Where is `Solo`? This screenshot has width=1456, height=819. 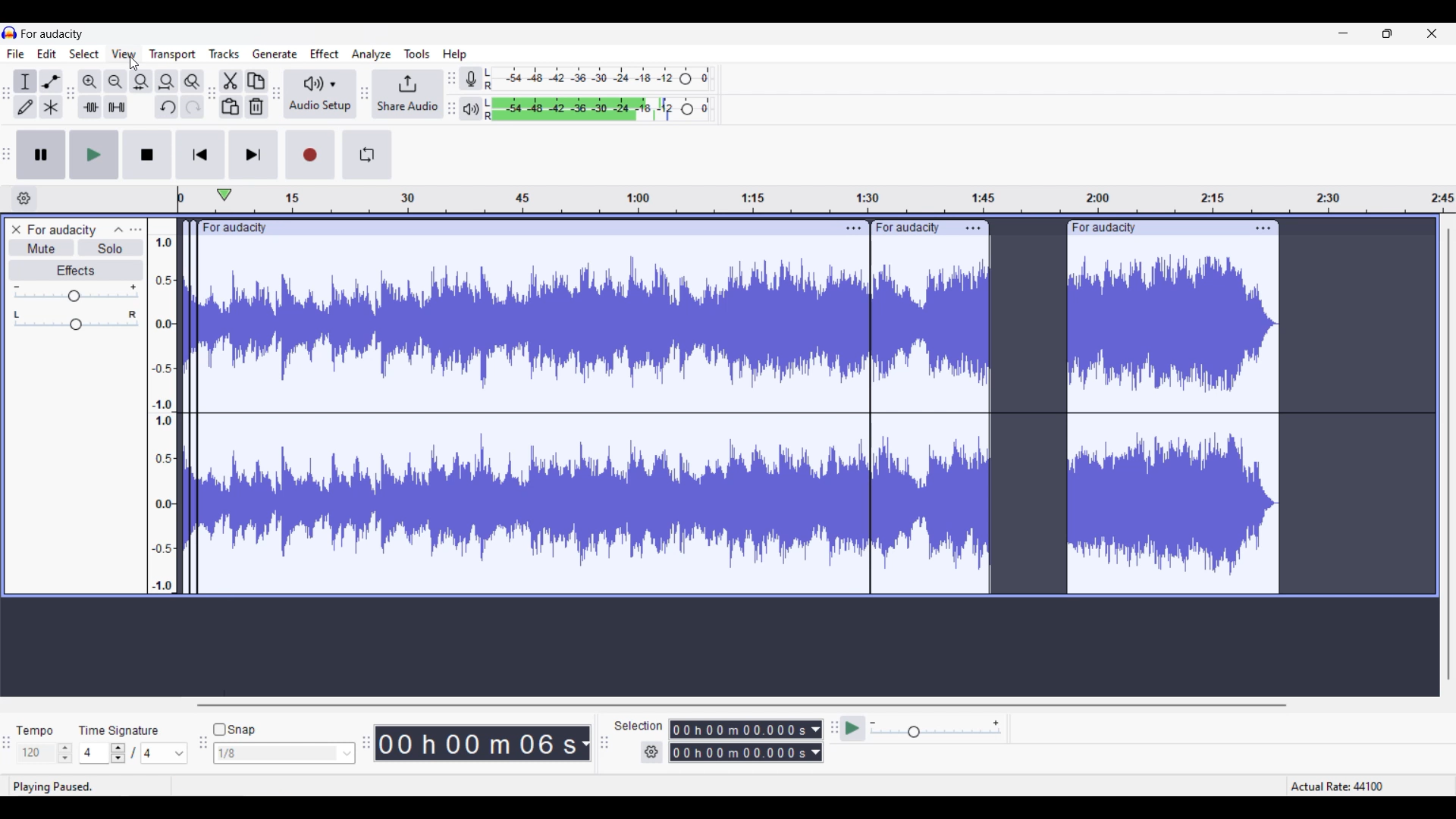
Solo is located at coordinates (111, 247).